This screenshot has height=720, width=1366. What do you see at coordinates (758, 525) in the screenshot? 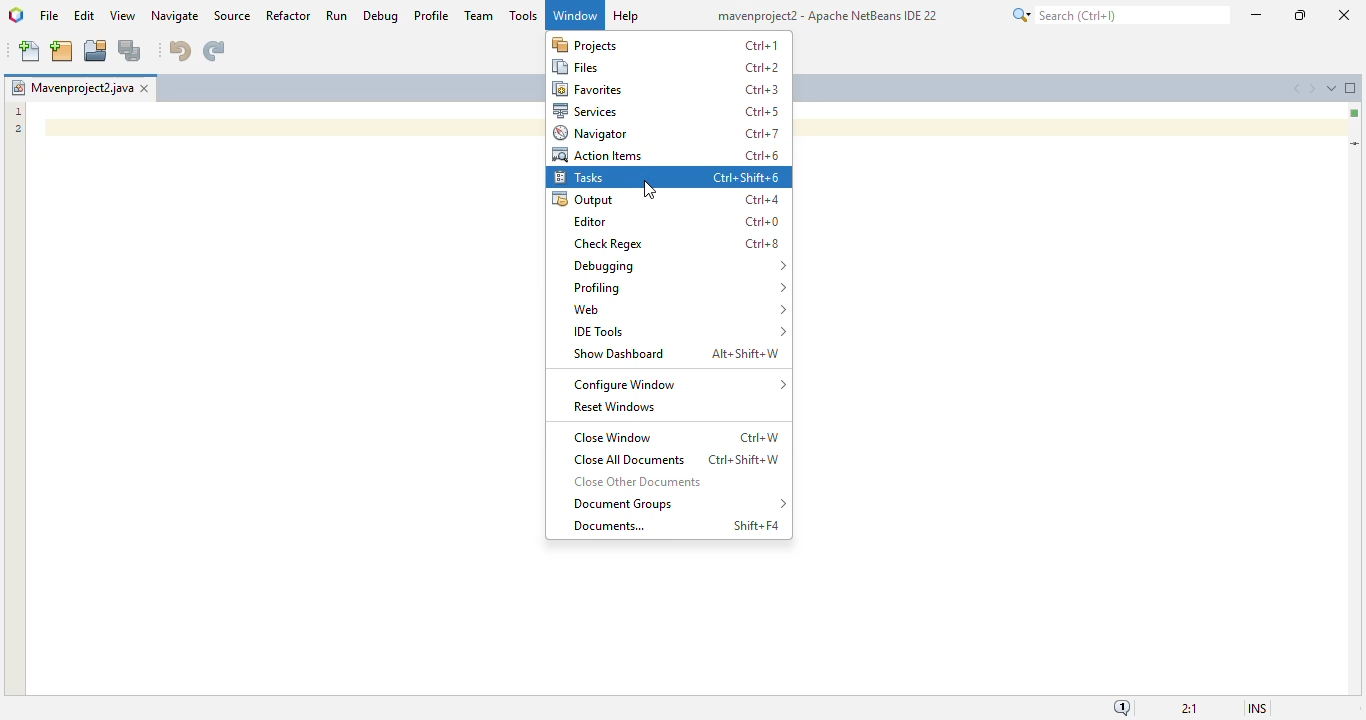
I see `shortcut for documents` at bounding box center [758, 525].